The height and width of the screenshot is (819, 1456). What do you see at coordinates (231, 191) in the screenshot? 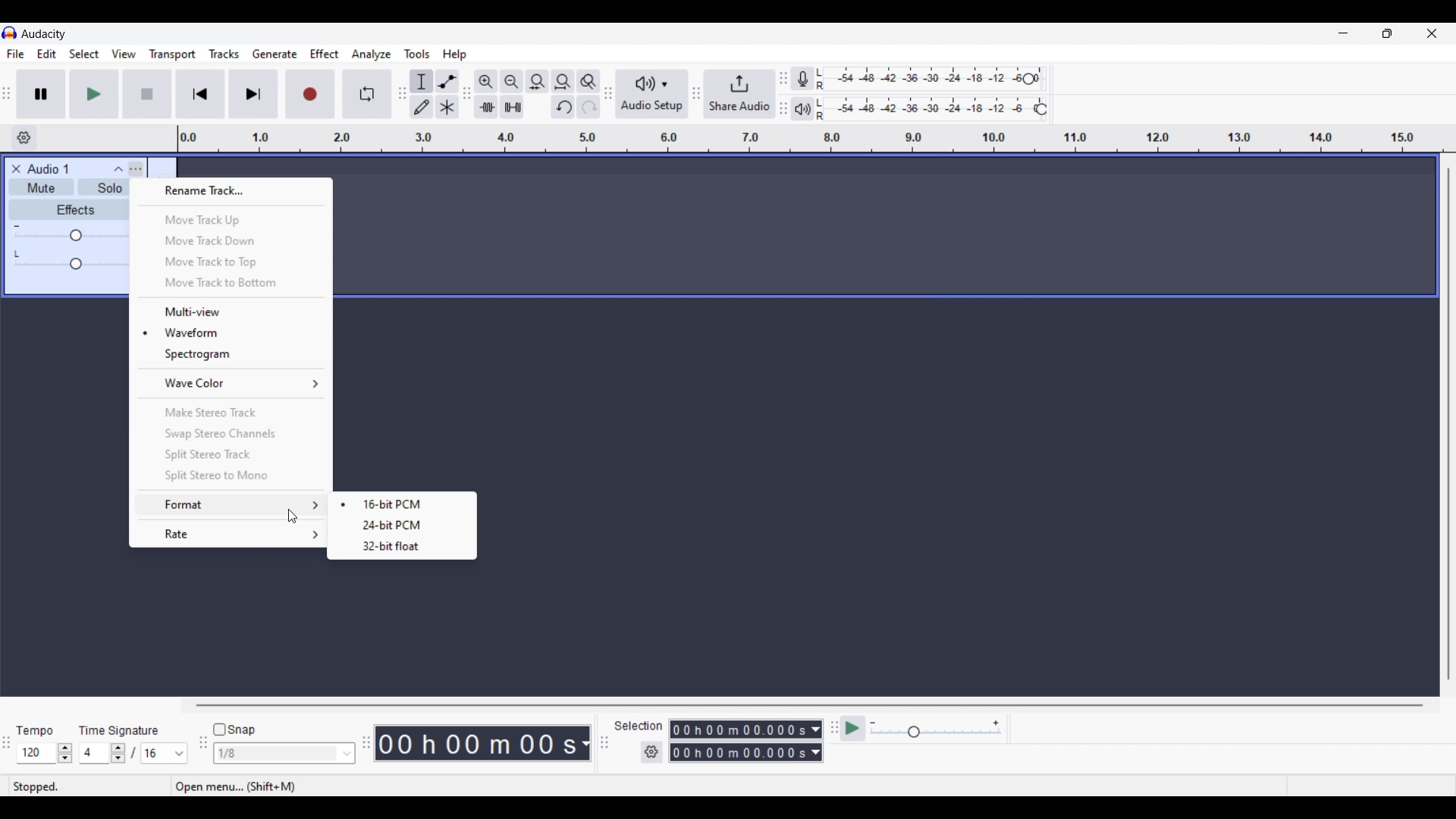
I see `Rename track` at bounding box center [231, 191].